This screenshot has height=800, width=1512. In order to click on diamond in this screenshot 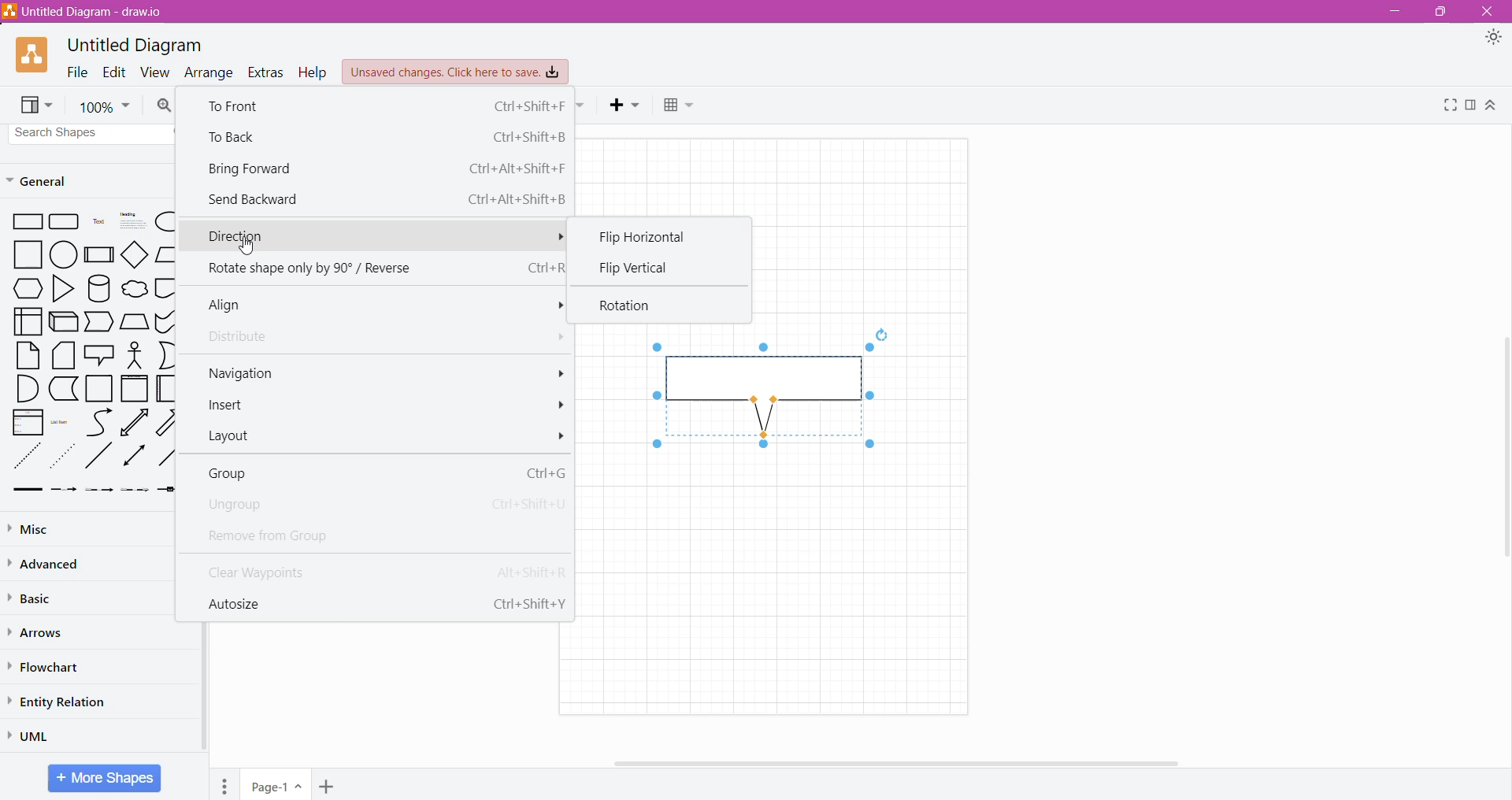, I will do `click(134, 254)`.